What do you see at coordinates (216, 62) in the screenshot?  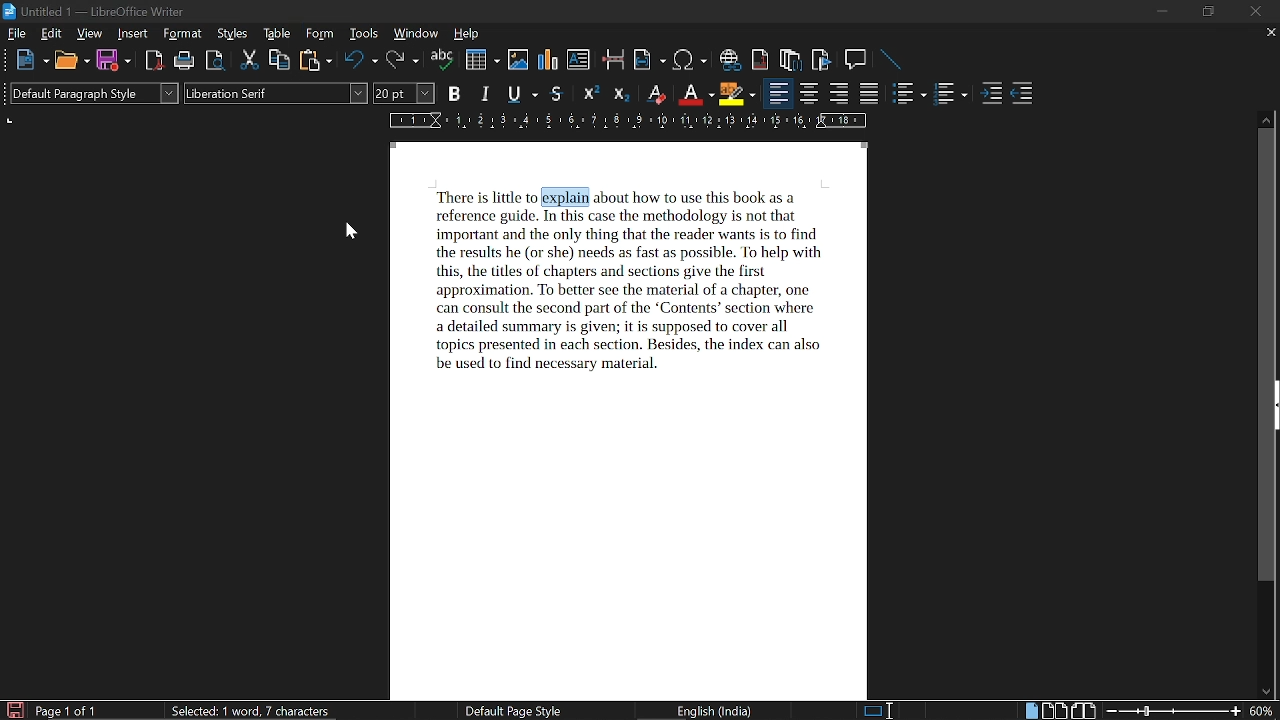 I see `toggle print preview` at bounding box center [216, 62].